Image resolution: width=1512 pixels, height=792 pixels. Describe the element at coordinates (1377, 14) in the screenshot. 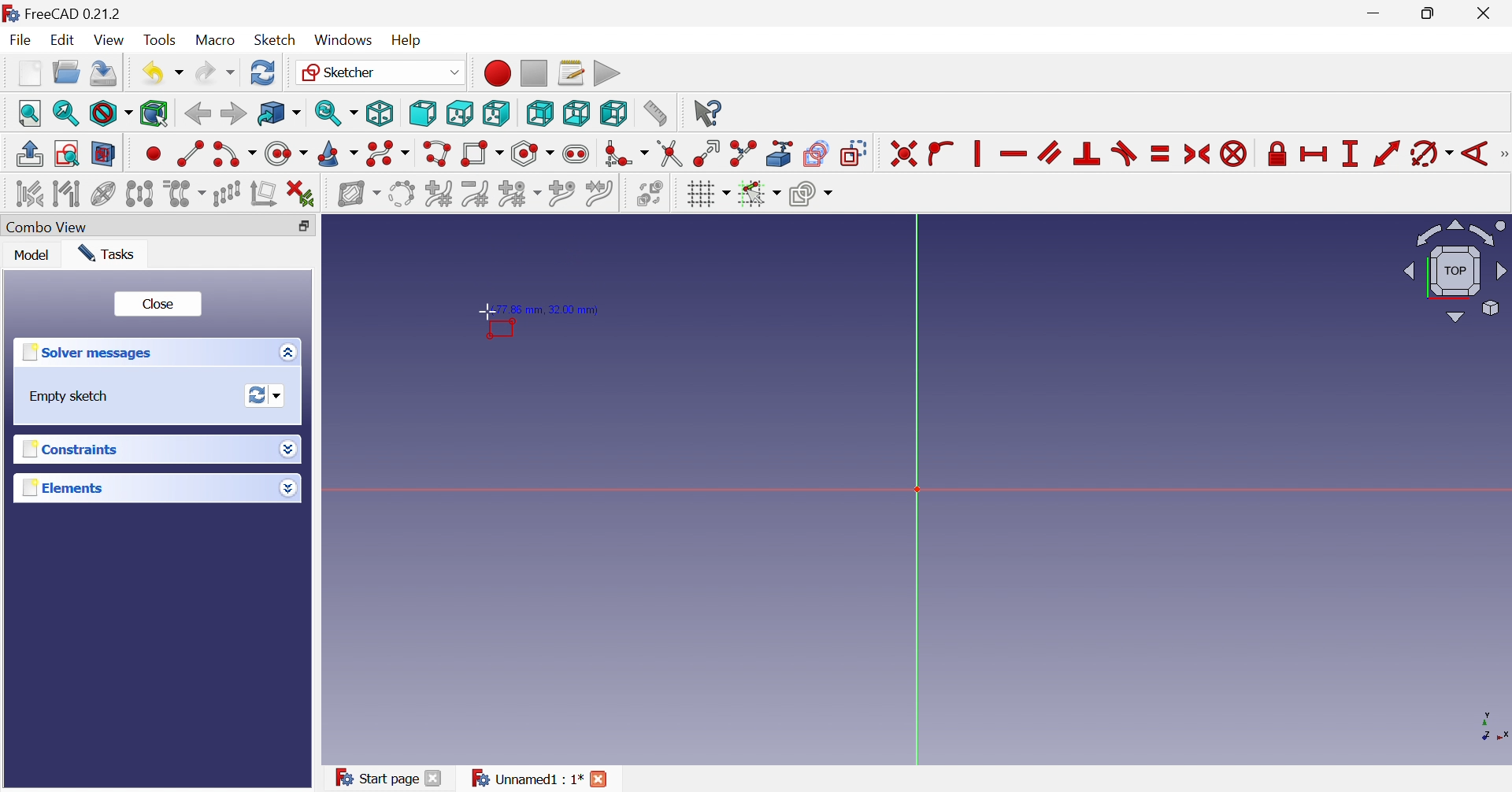

I see `Minimize` at that location.